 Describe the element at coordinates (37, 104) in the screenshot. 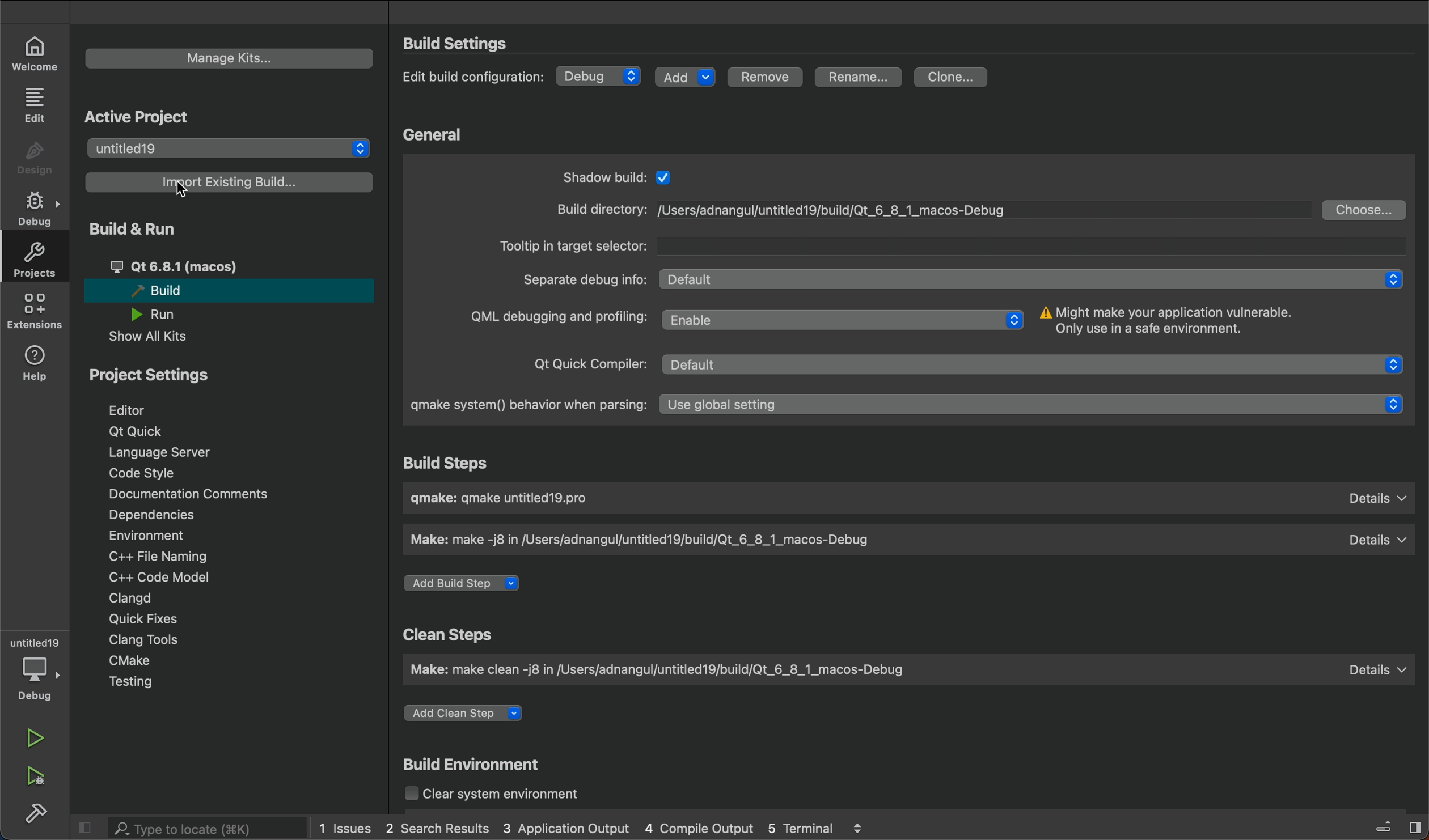

I see `EDIT` at that location.